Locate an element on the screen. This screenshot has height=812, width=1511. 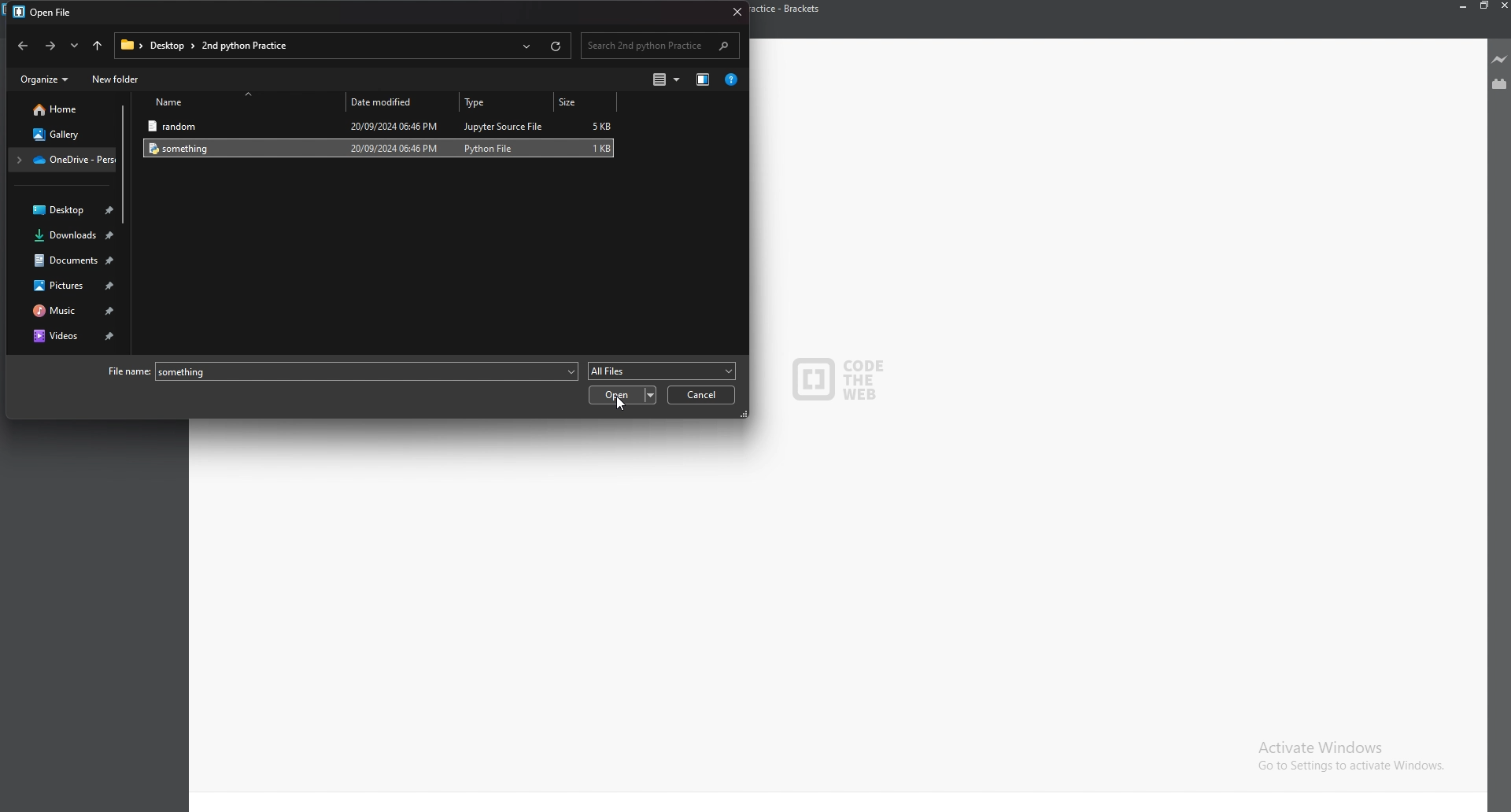
pictures is located at coordinates (64, 285).